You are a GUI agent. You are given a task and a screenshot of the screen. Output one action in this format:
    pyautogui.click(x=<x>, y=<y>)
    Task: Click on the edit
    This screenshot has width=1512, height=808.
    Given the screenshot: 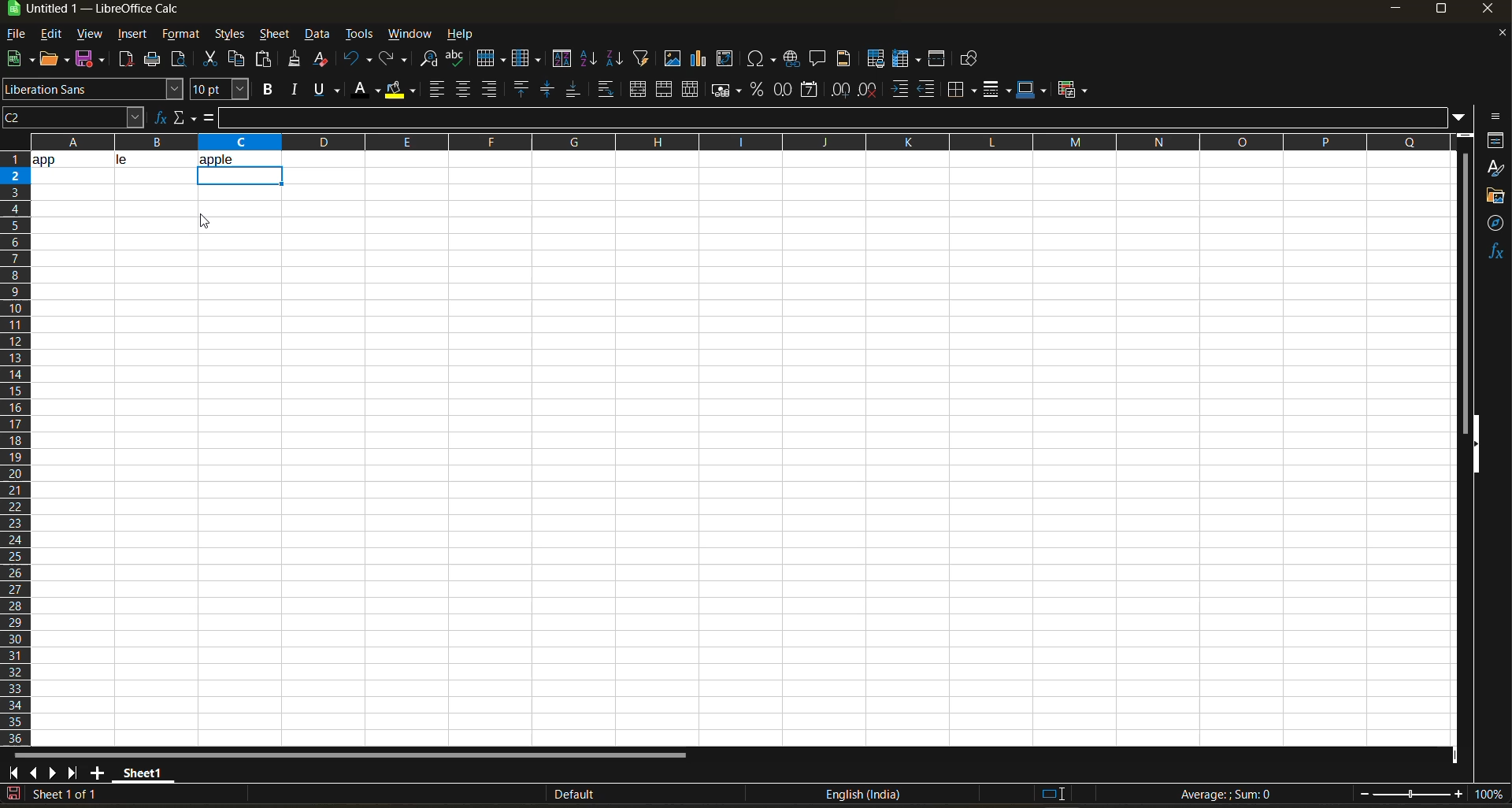 What is the action you would take?
    pyautogui.click(x=51, y=32)
    